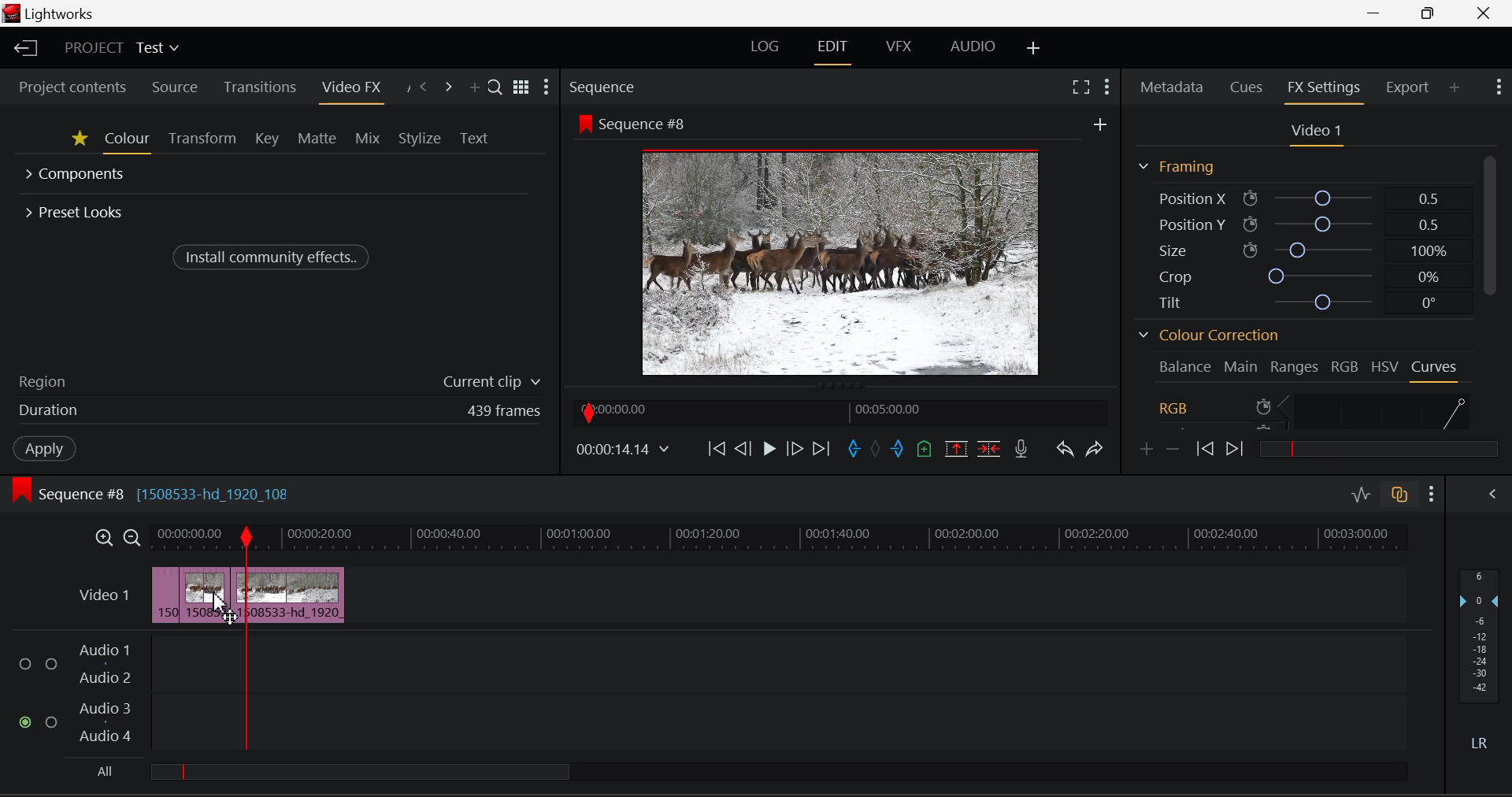 The width and height of the screenshot is (1512, 797). I want to click on RGB, so click(1345, 365).